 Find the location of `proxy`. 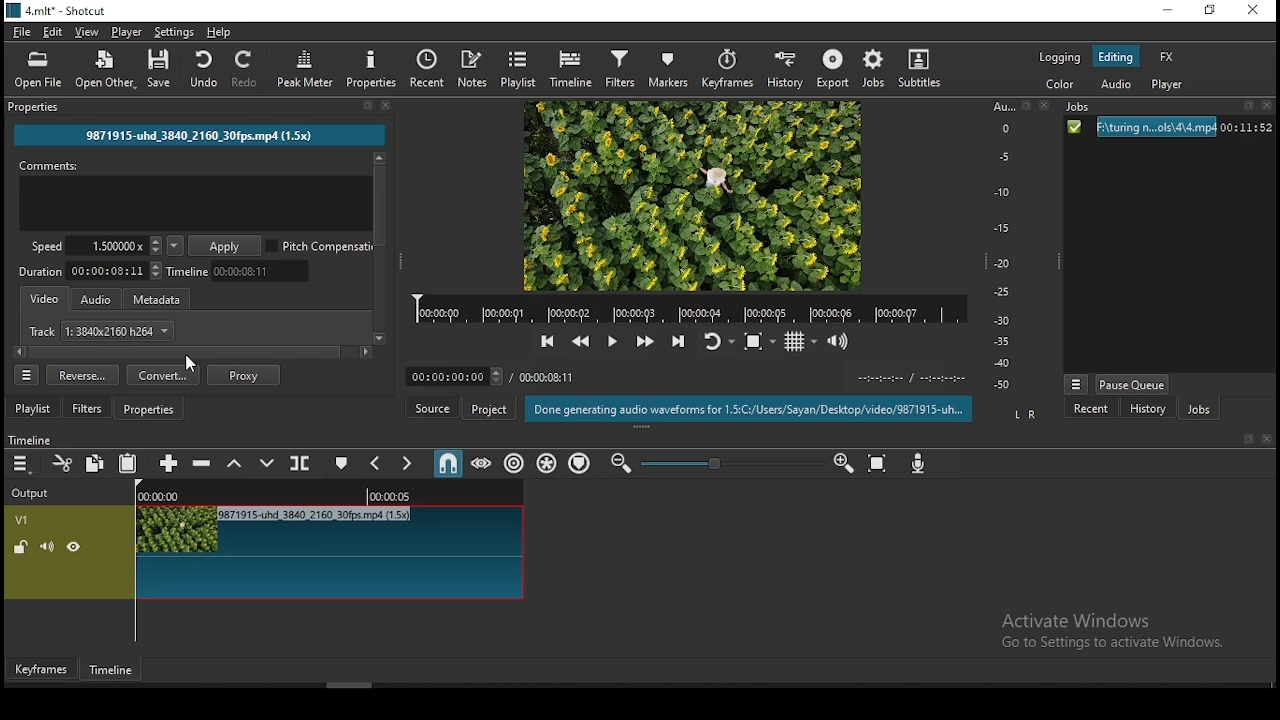

proxy is located at coordinates (243, 376).